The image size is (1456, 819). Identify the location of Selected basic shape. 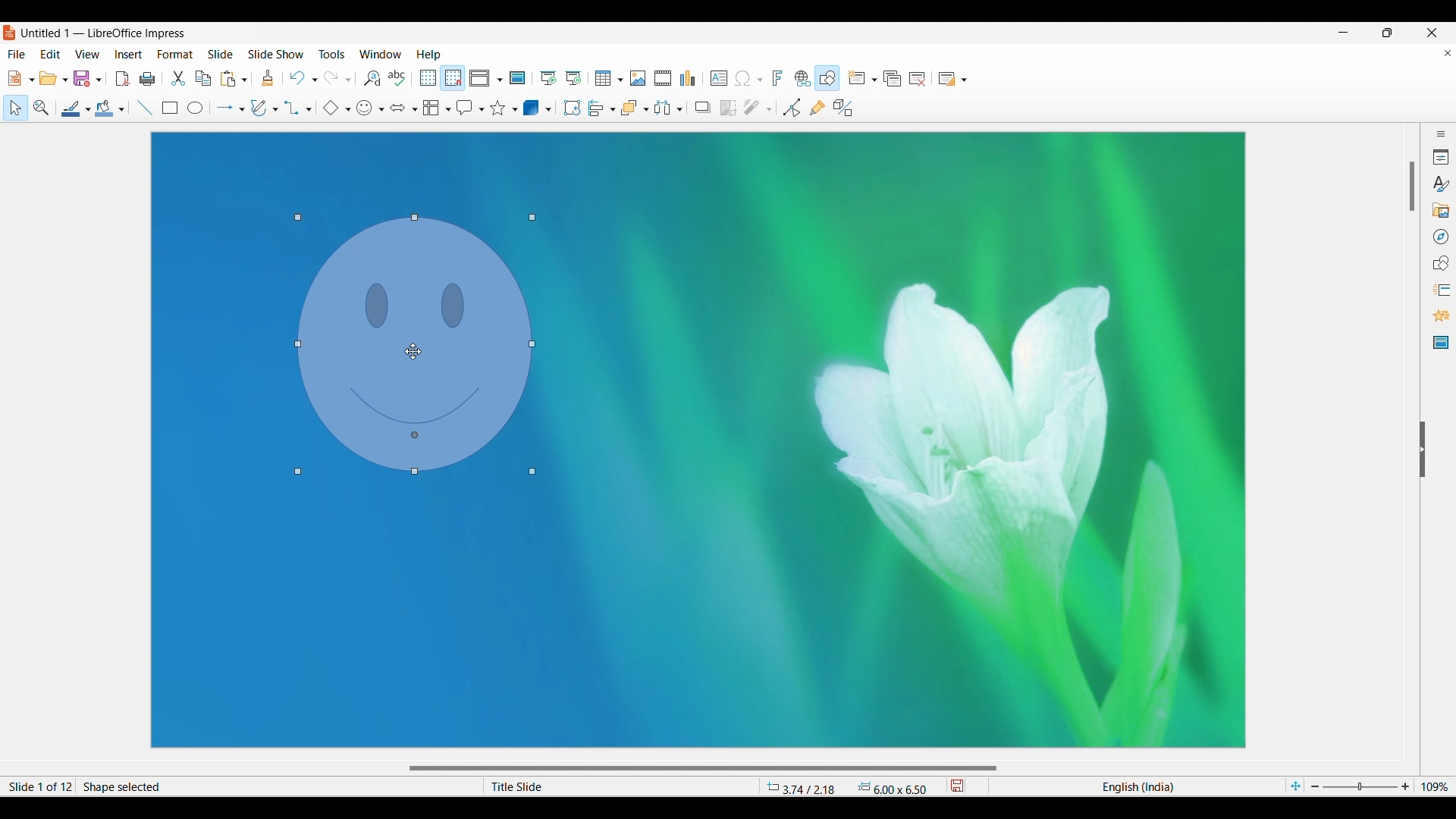
(331, 108).